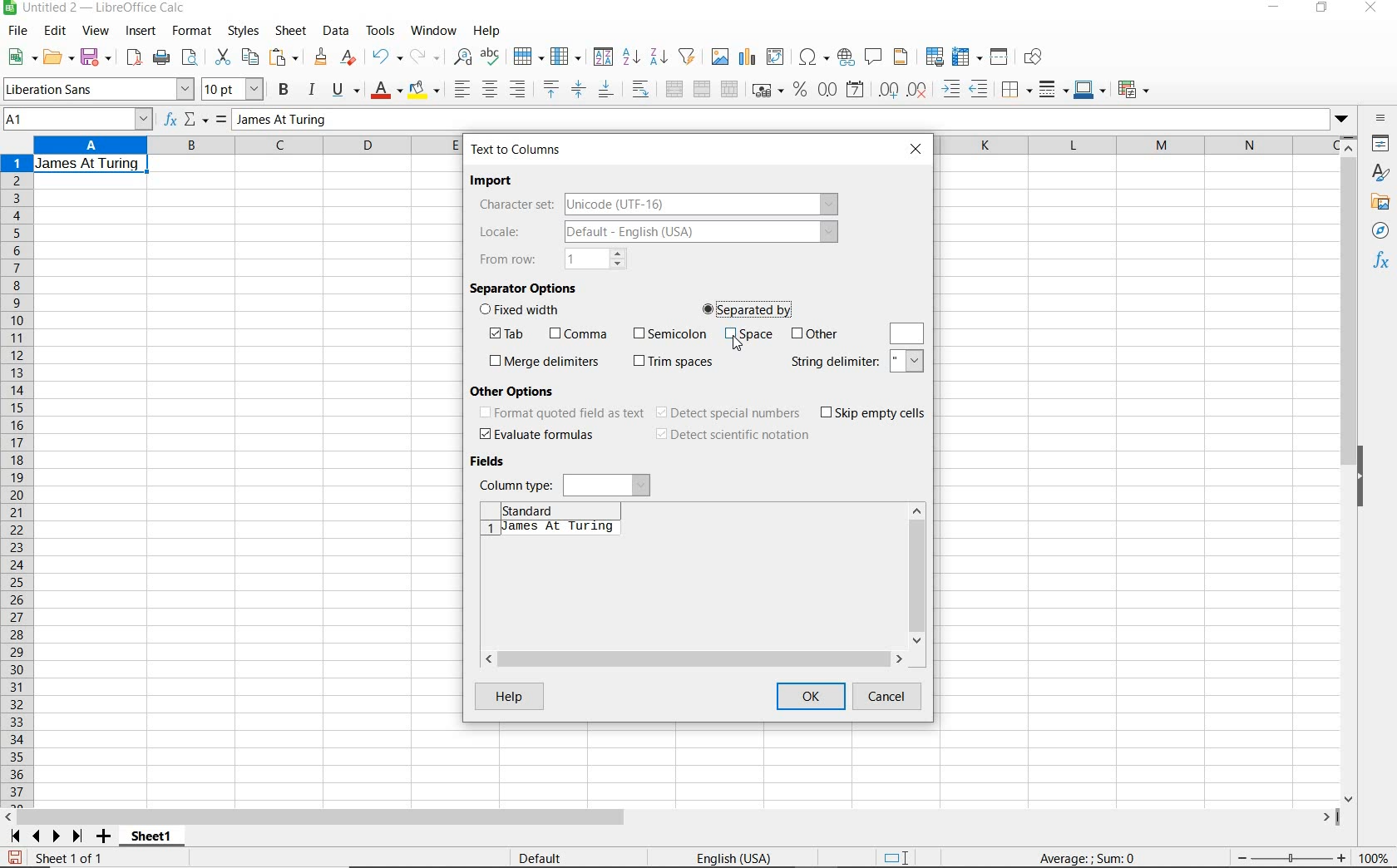 This screenshot has width=1397, height=868. Describe the element at coordinates (730, 88) in the screenshot. I see `unmerge cells` at that location.